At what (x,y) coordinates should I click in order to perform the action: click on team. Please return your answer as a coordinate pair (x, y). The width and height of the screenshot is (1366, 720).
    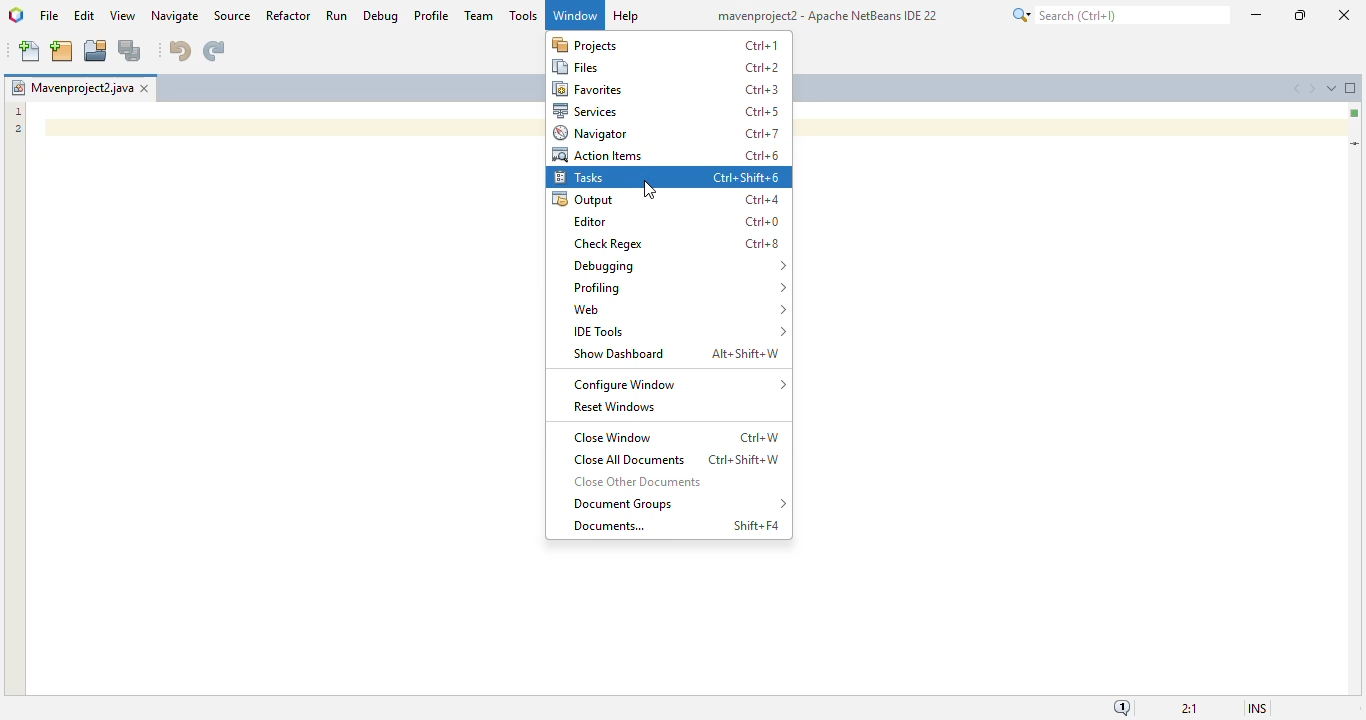
    Looking at the image, I should click on (479, 15).